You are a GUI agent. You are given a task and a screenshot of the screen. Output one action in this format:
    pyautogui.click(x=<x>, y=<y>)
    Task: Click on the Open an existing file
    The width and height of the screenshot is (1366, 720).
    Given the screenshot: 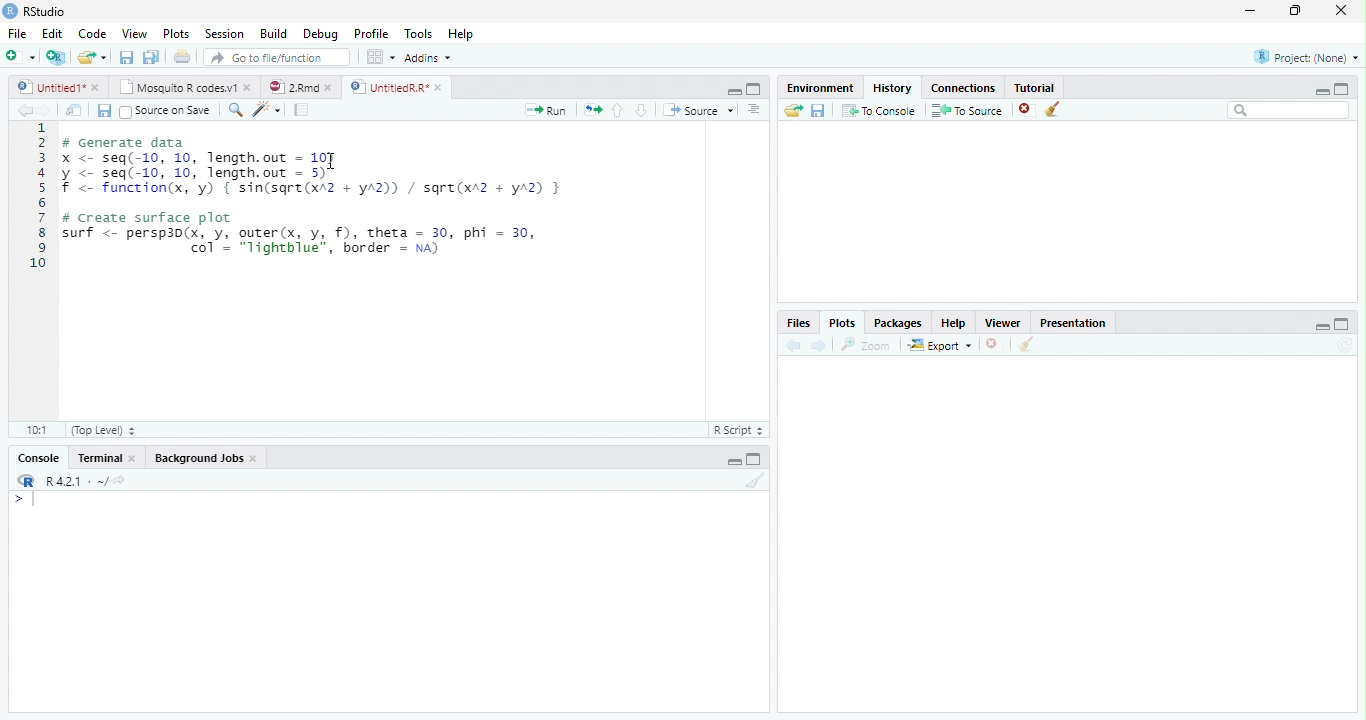 What is the action you would take?
    pyautogui.click(x=84, y=57)
    